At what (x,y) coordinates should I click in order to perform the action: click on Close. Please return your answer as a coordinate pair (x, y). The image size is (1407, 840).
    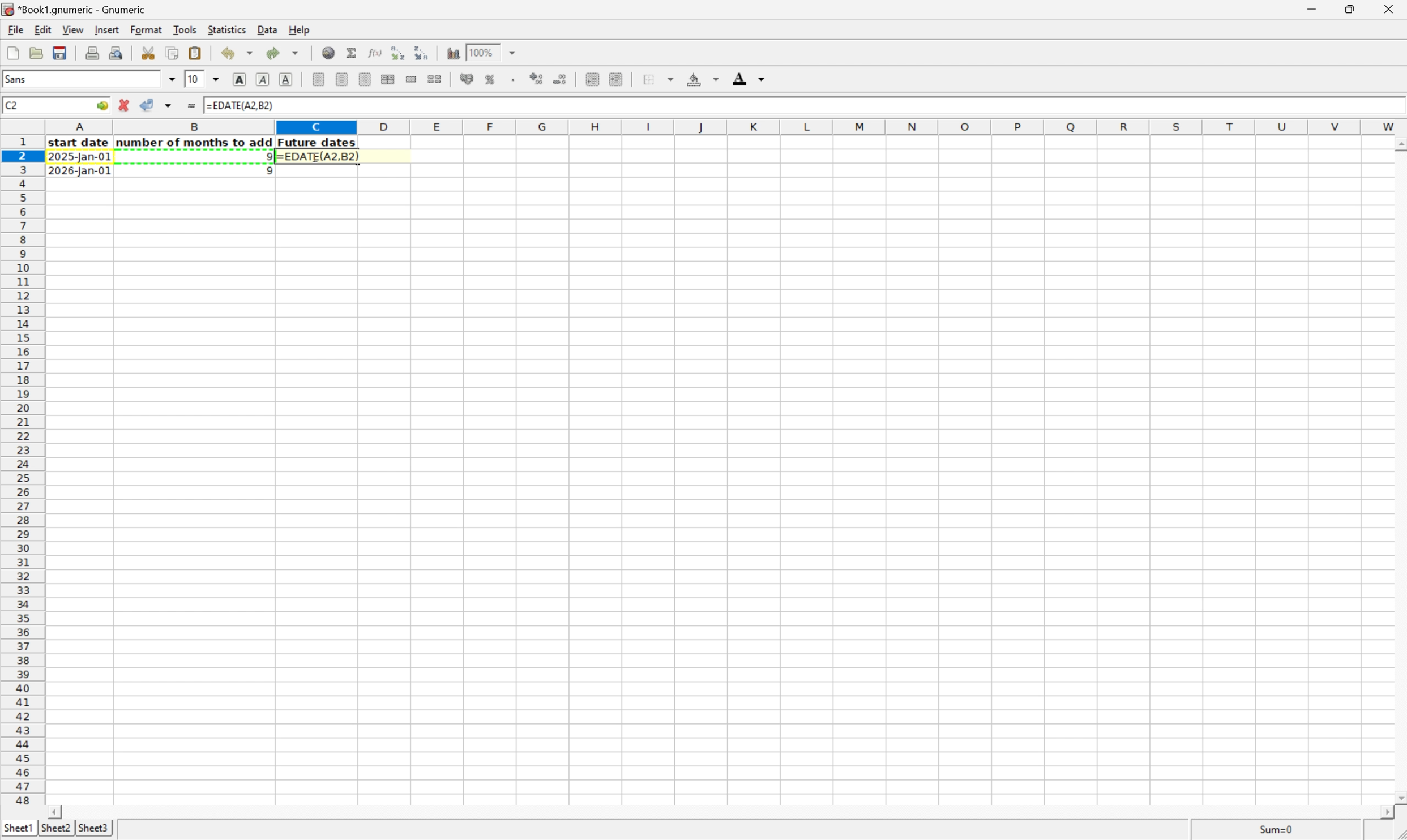
    Looking at the image, I should click on (1390, 7).